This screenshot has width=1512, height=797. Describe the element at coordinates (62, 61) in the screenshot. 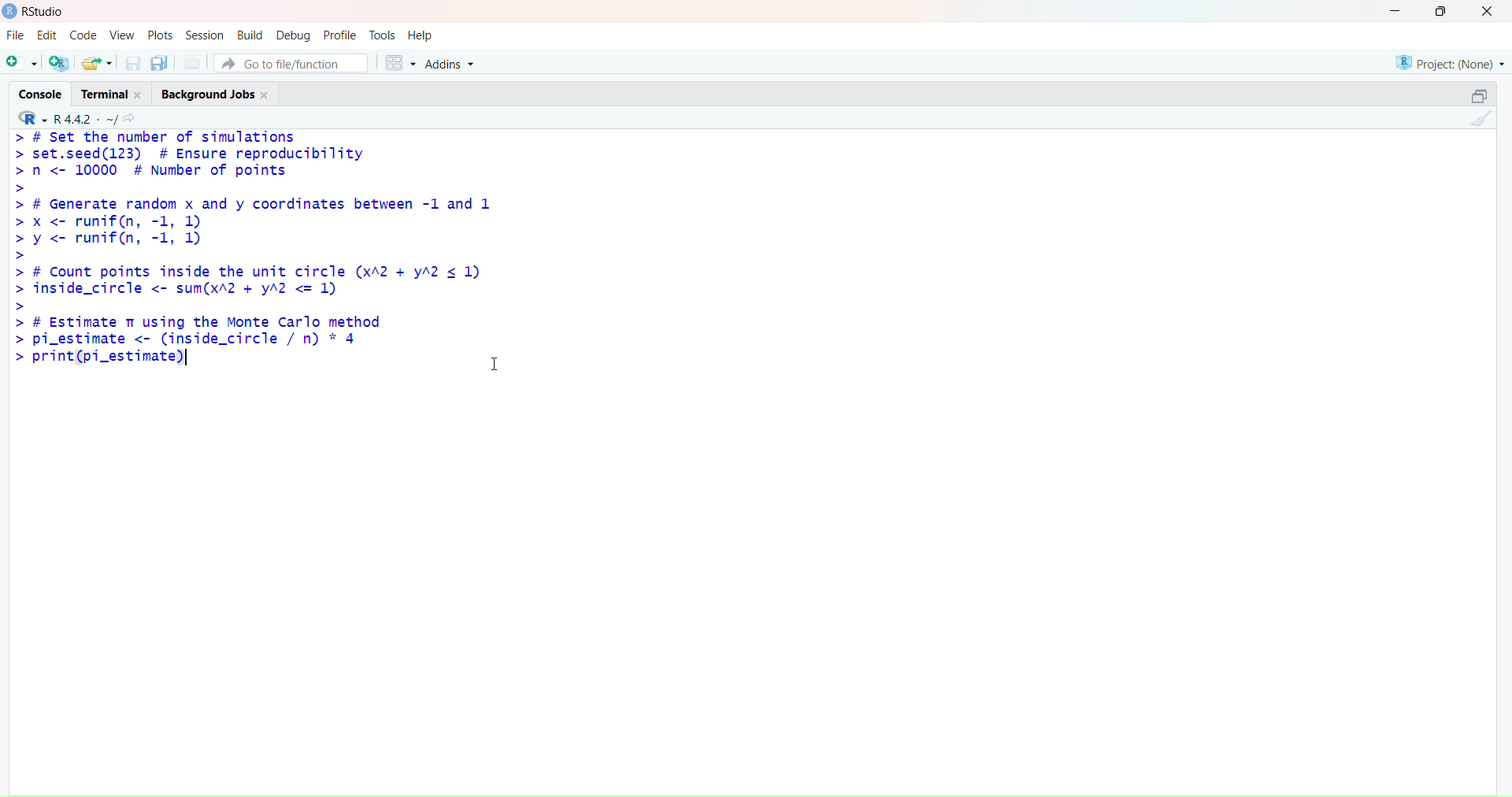

I see `Create a project` at that location.